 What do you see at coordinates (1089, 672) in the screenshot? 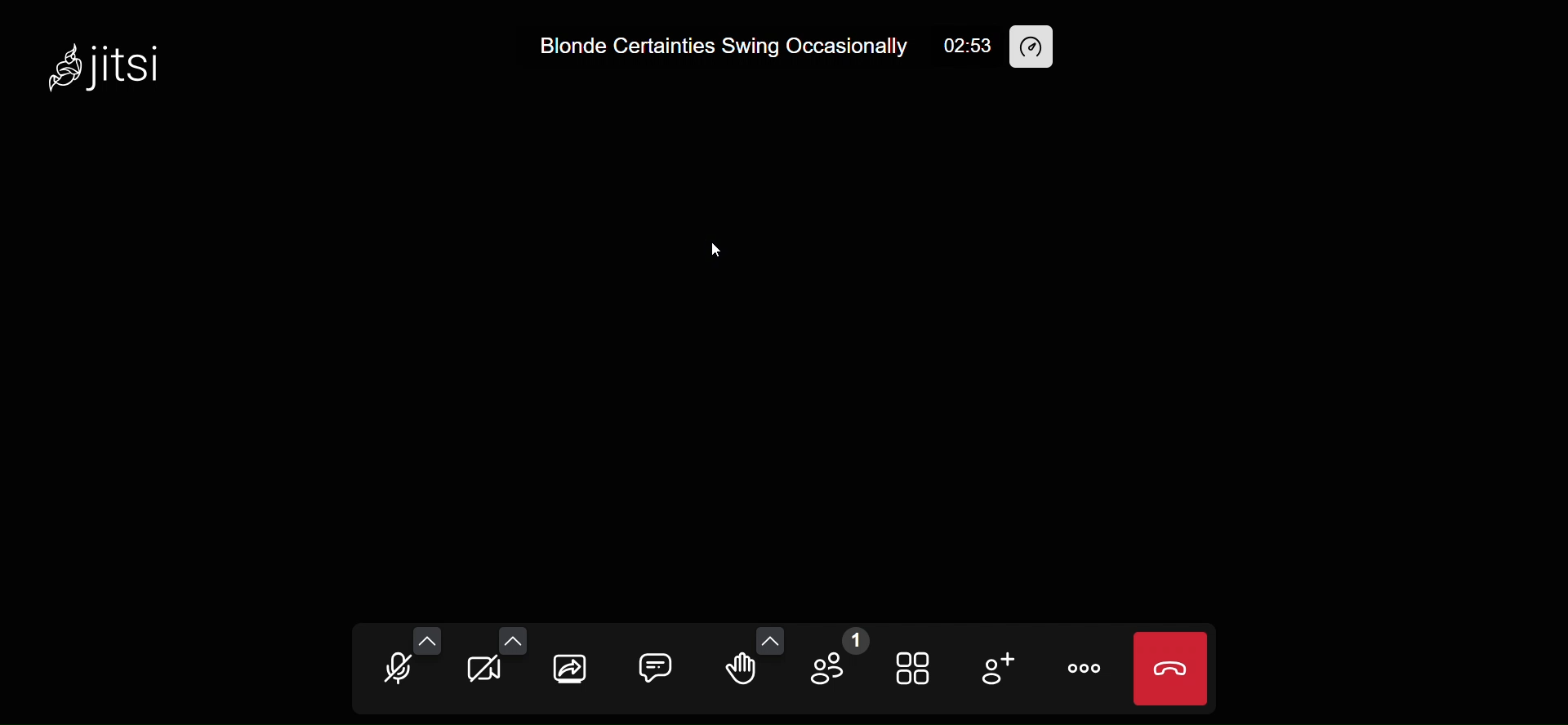
I see `more` at bounding box center [1089, 672].